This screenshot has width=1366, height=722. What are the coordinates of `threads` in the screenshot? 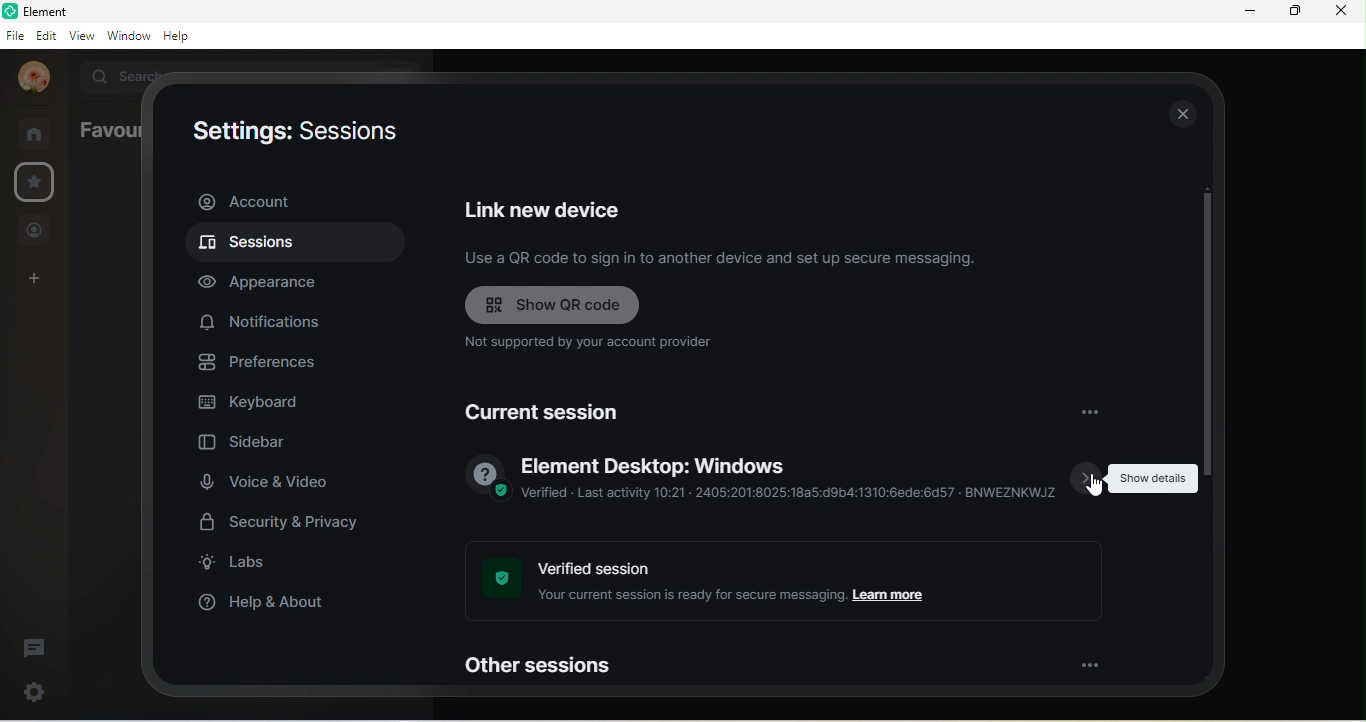 It's located at (35, 649).